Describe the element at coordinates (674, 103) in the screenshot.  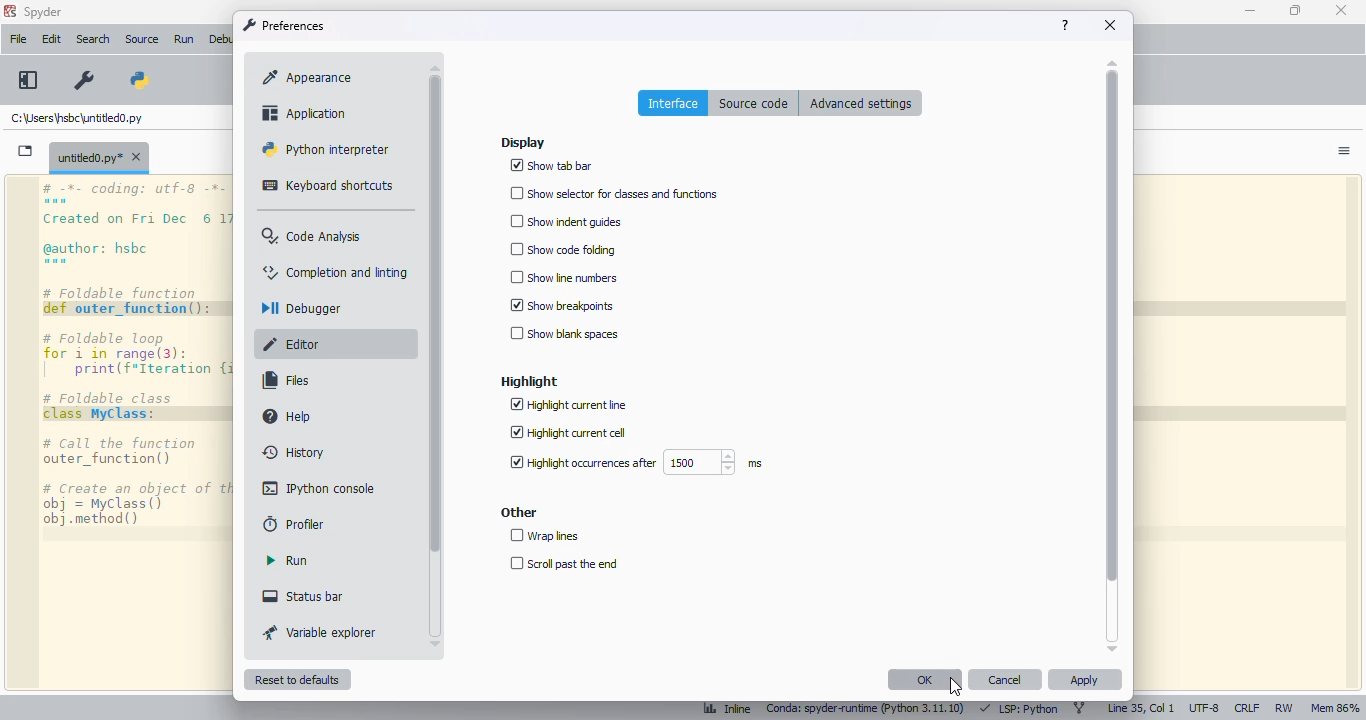
I see `interface` at that location.